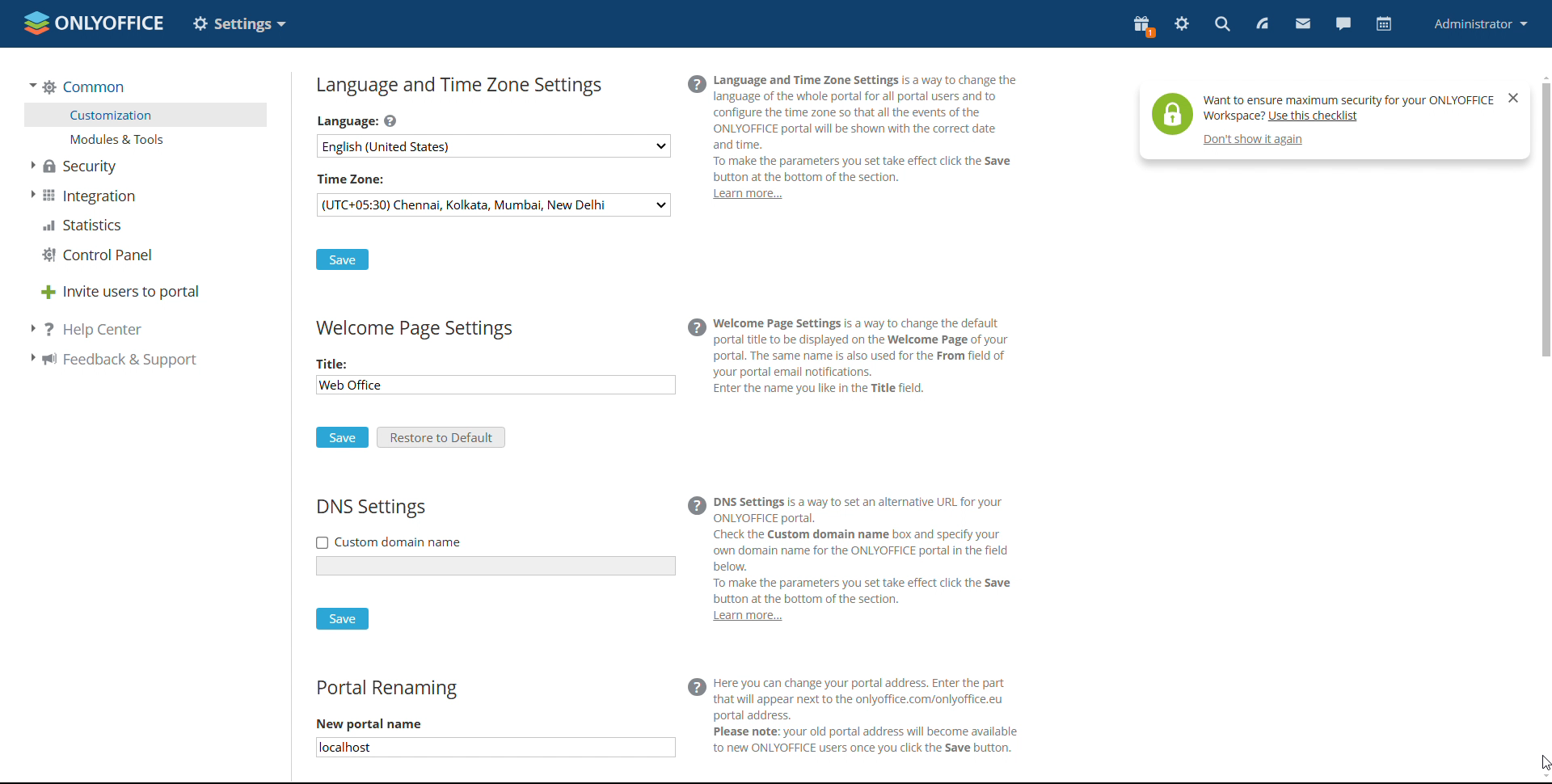  What do you see at coordinates (386, 690) in the screenshot?
I see `portal renaming` at bounding box center [386, 690].